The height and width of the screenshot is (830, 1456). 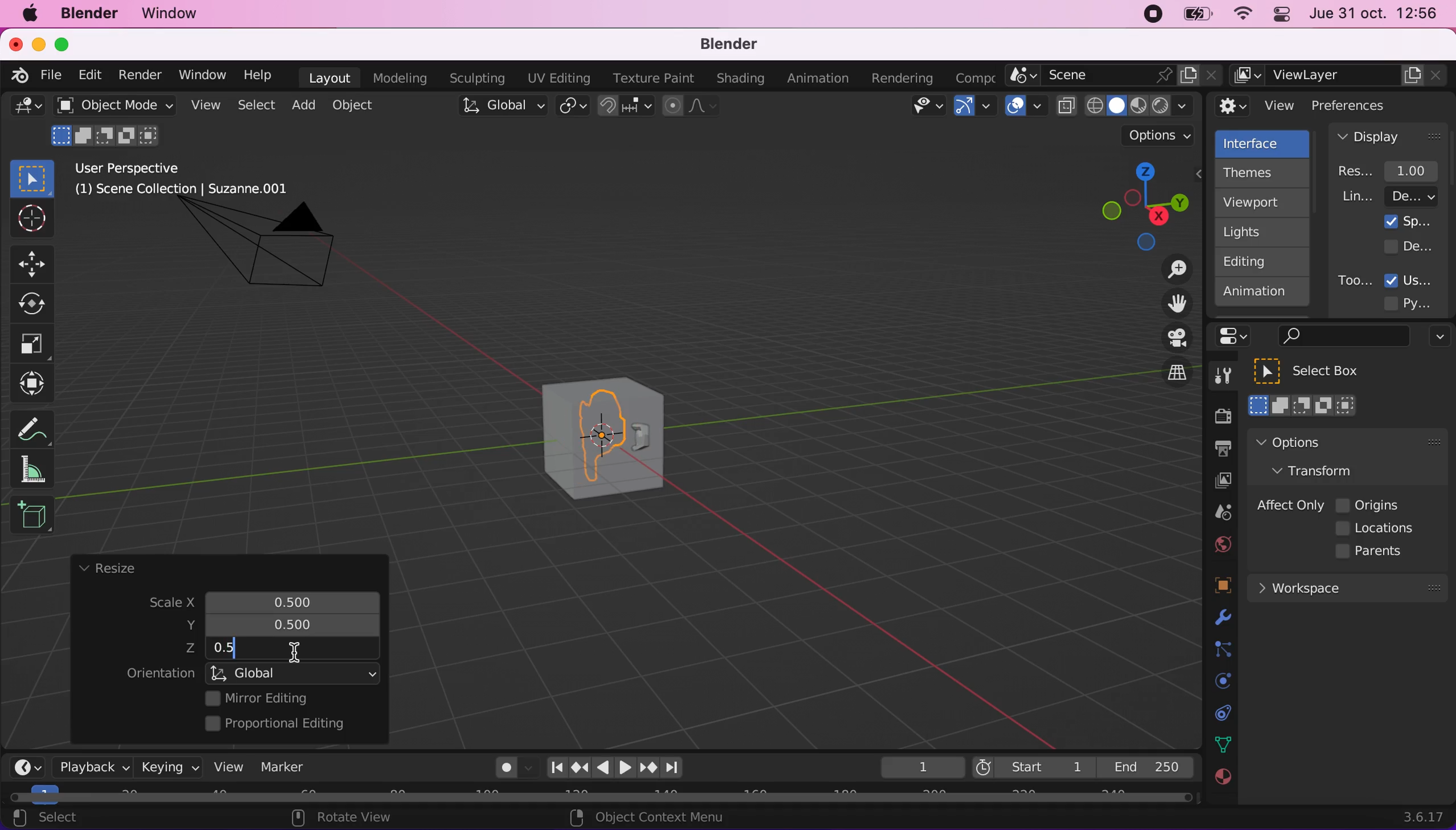 I want to click on playback, so click(x=89, y=766).